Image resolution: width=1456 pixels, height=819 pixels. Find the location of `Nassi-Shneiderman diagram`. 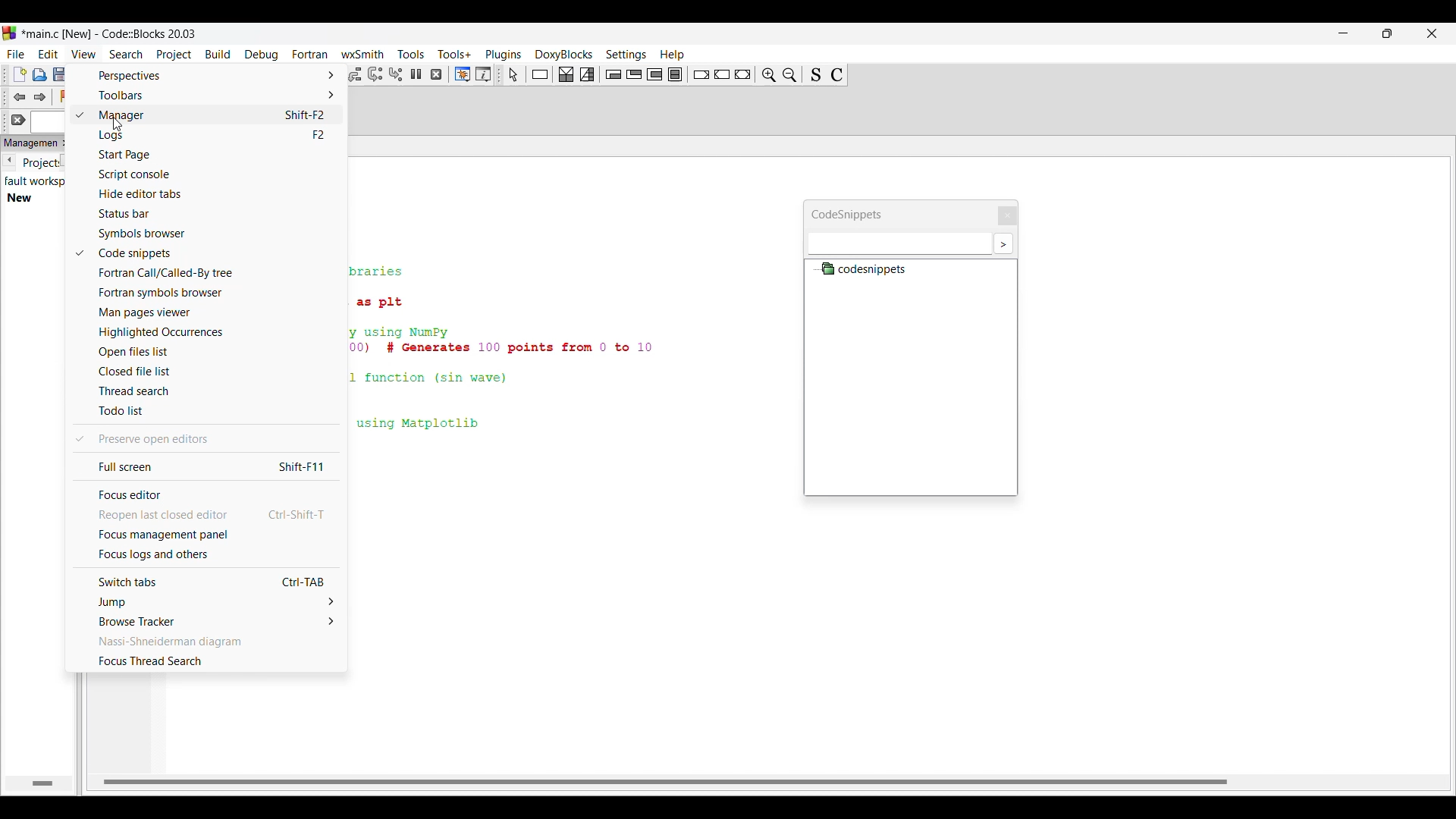

Nassi-Shneiderman diagram is located at coordinates (206, 642).